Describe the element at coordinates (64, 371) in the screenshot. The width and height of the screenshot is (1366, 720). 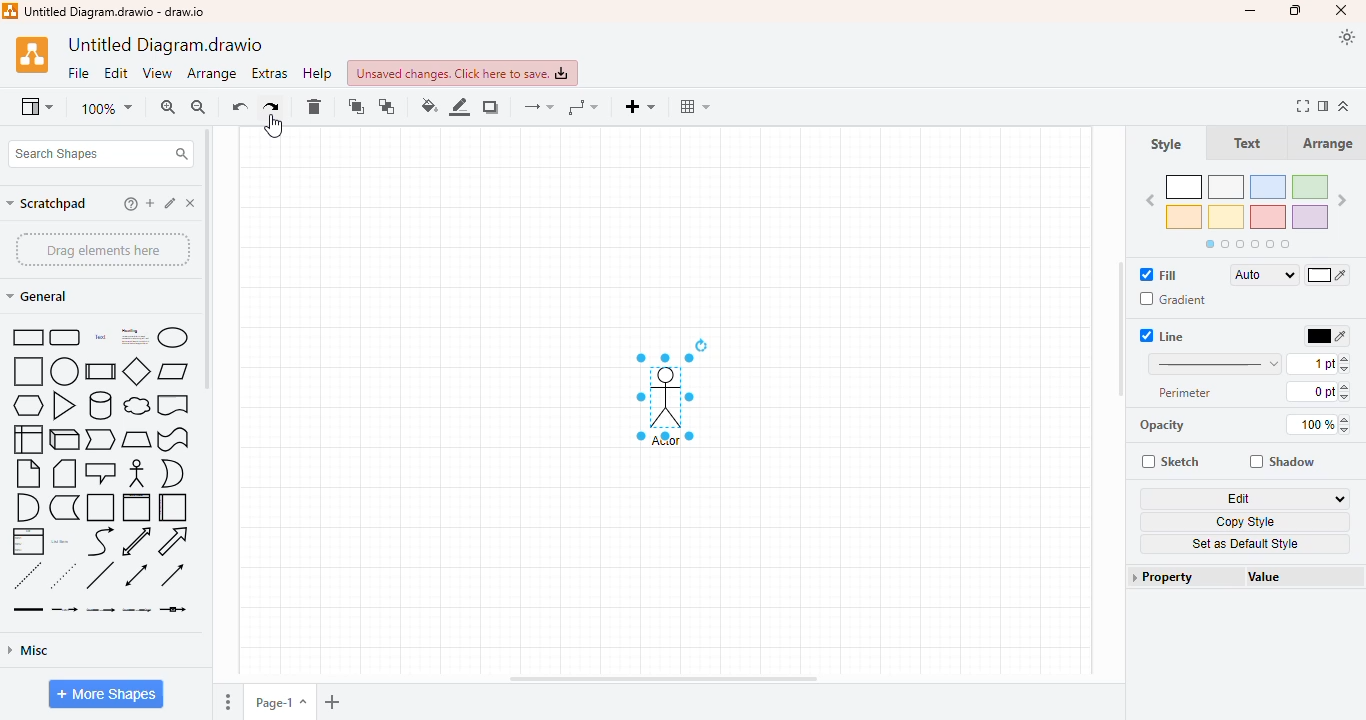
I see `circle` at that location.